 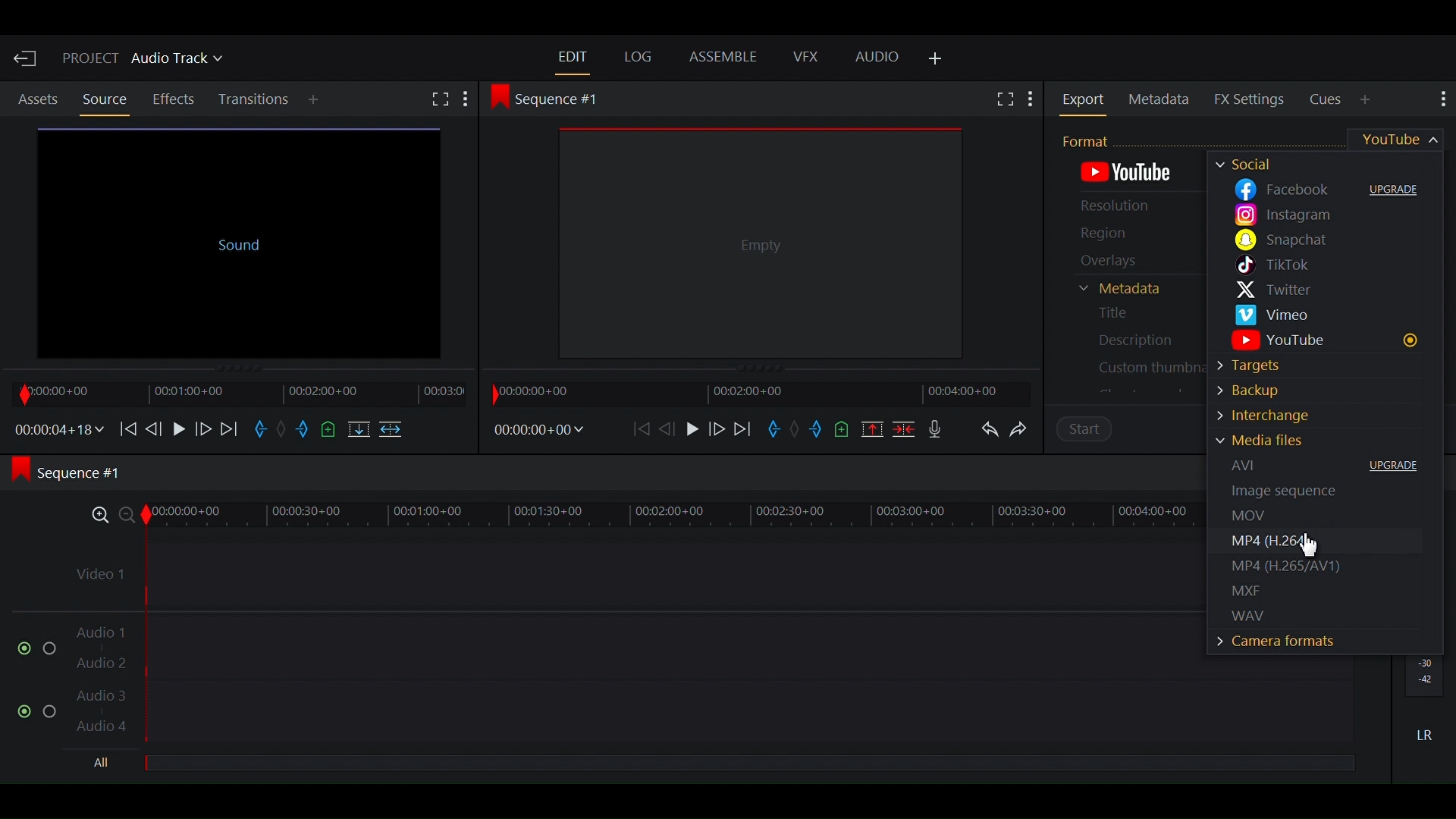 I want to click on Move Backward, so click(x=127, y=428).